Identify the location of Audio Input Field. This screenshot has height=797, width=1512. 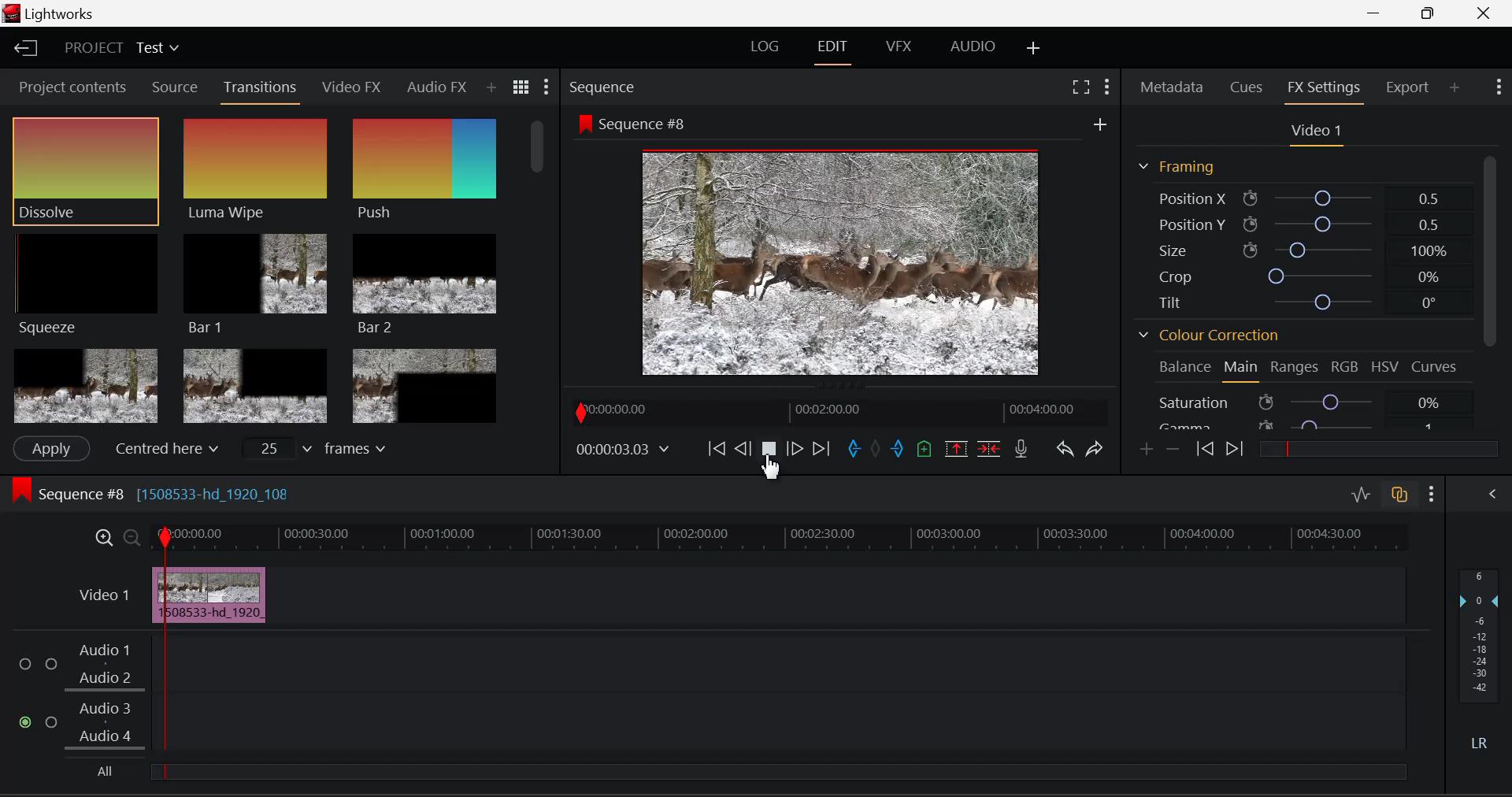
(790, 724).